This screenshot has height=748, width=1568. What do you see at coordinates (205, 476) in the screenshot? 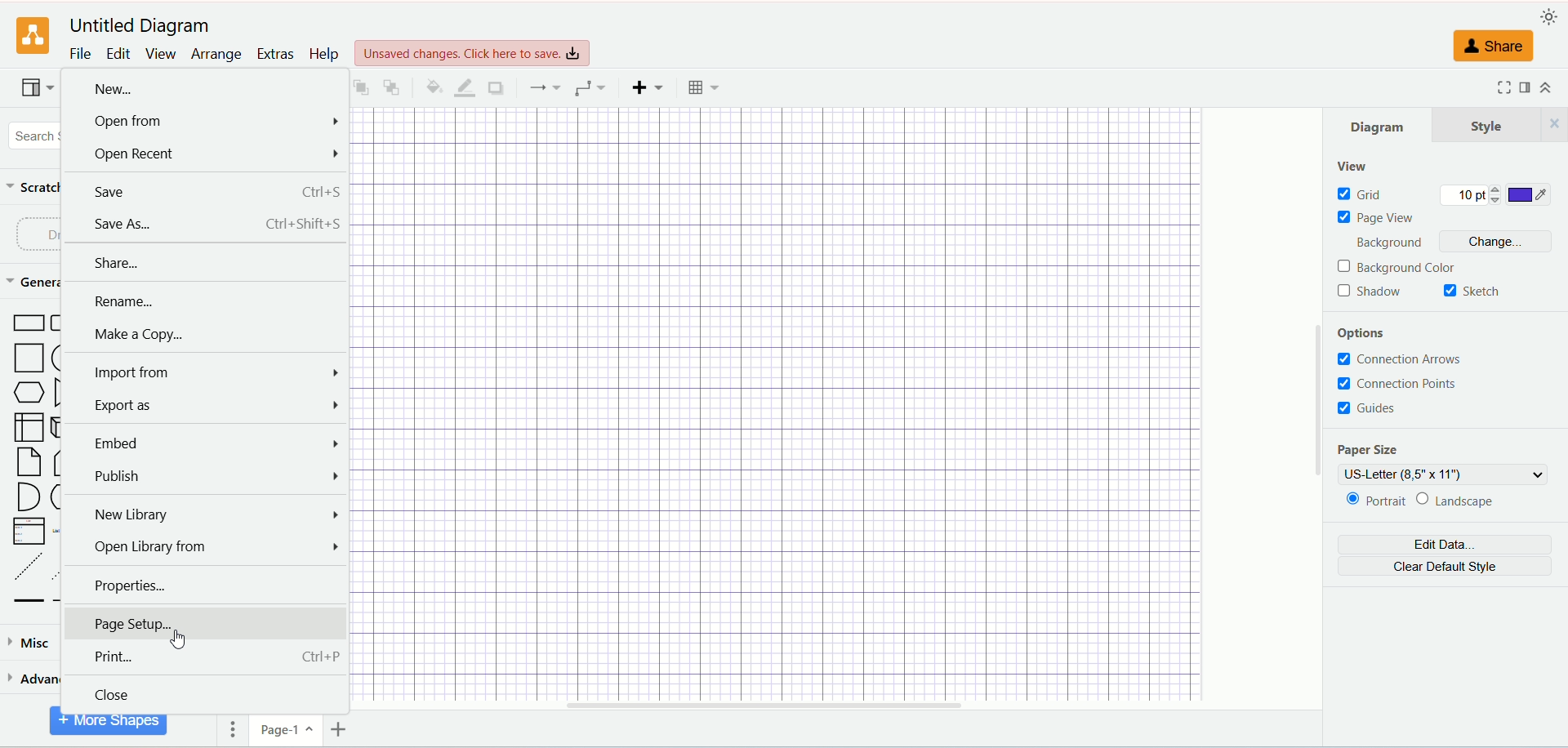
I see `publish` at bounding box center [205, 476].